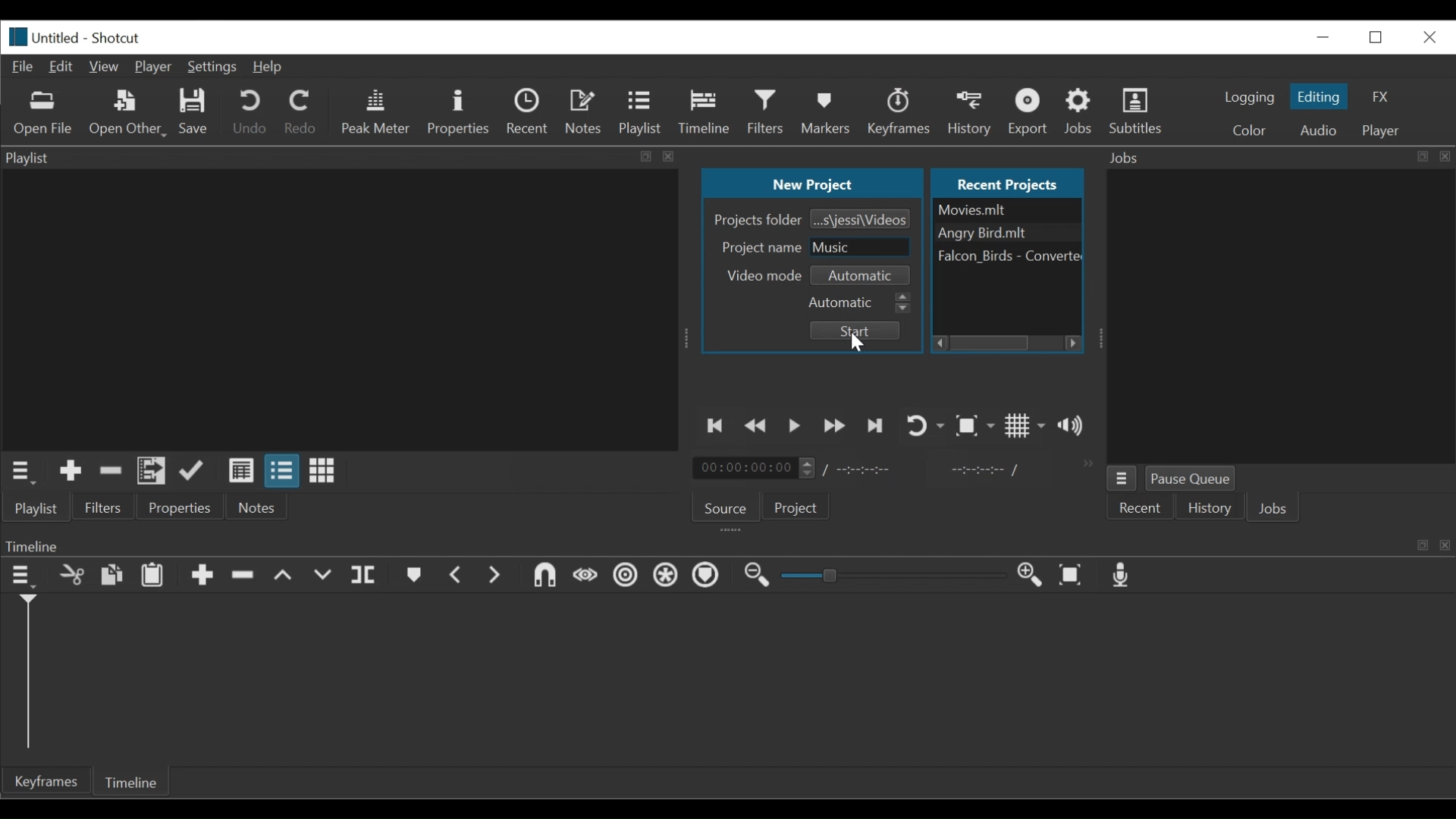 The image size is (1456, 819). What do you see at coordinates (1195, 478) in the screenshot?
I see `Pause Queue` at bounding box center [1195, 478].